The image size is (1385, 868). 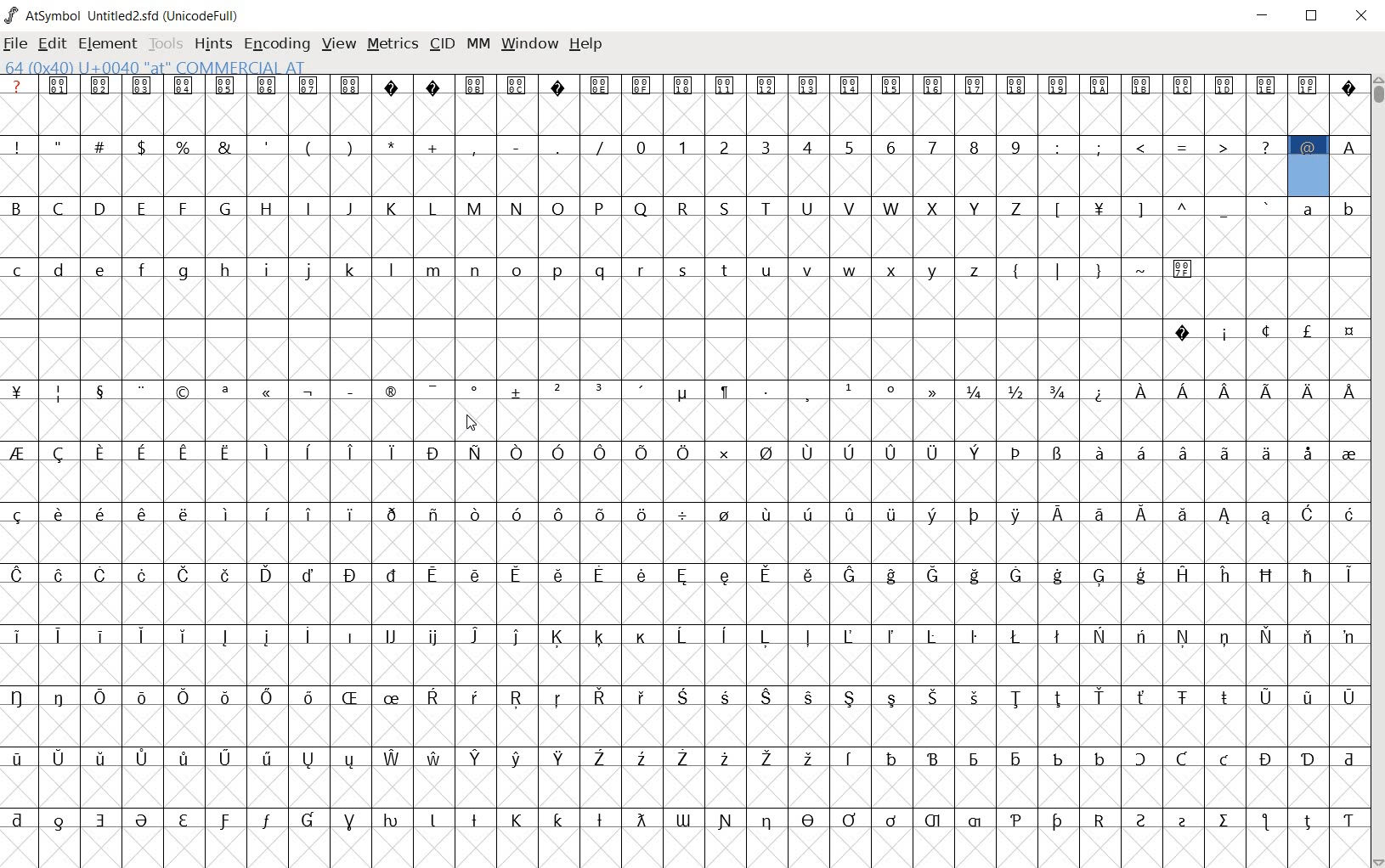 I want to click on selected glyph slot, so click(x=1307, y=176).